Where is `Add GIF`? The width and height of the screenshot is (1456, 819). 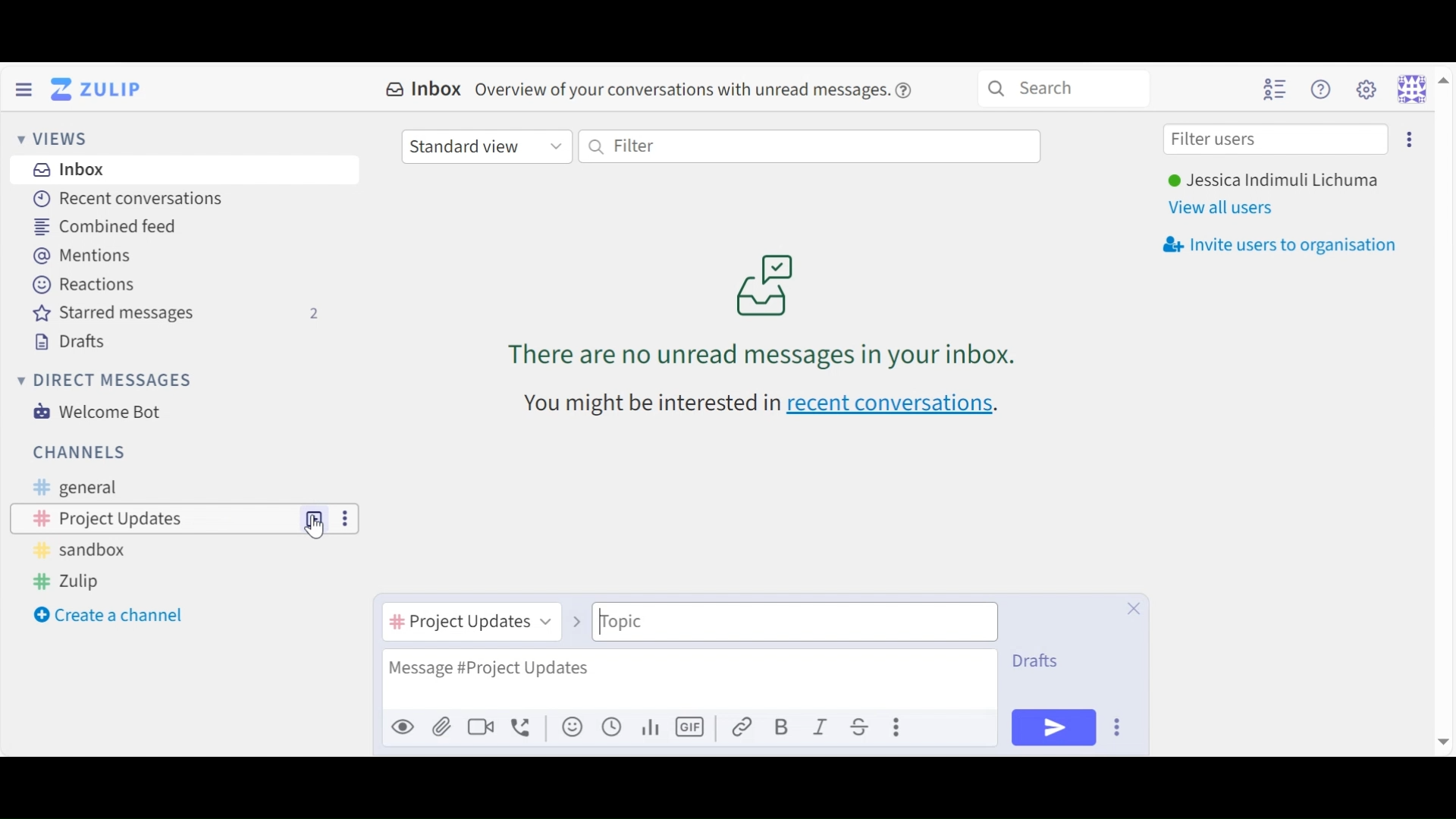 Add GIF is located at coordinates (690, 727).